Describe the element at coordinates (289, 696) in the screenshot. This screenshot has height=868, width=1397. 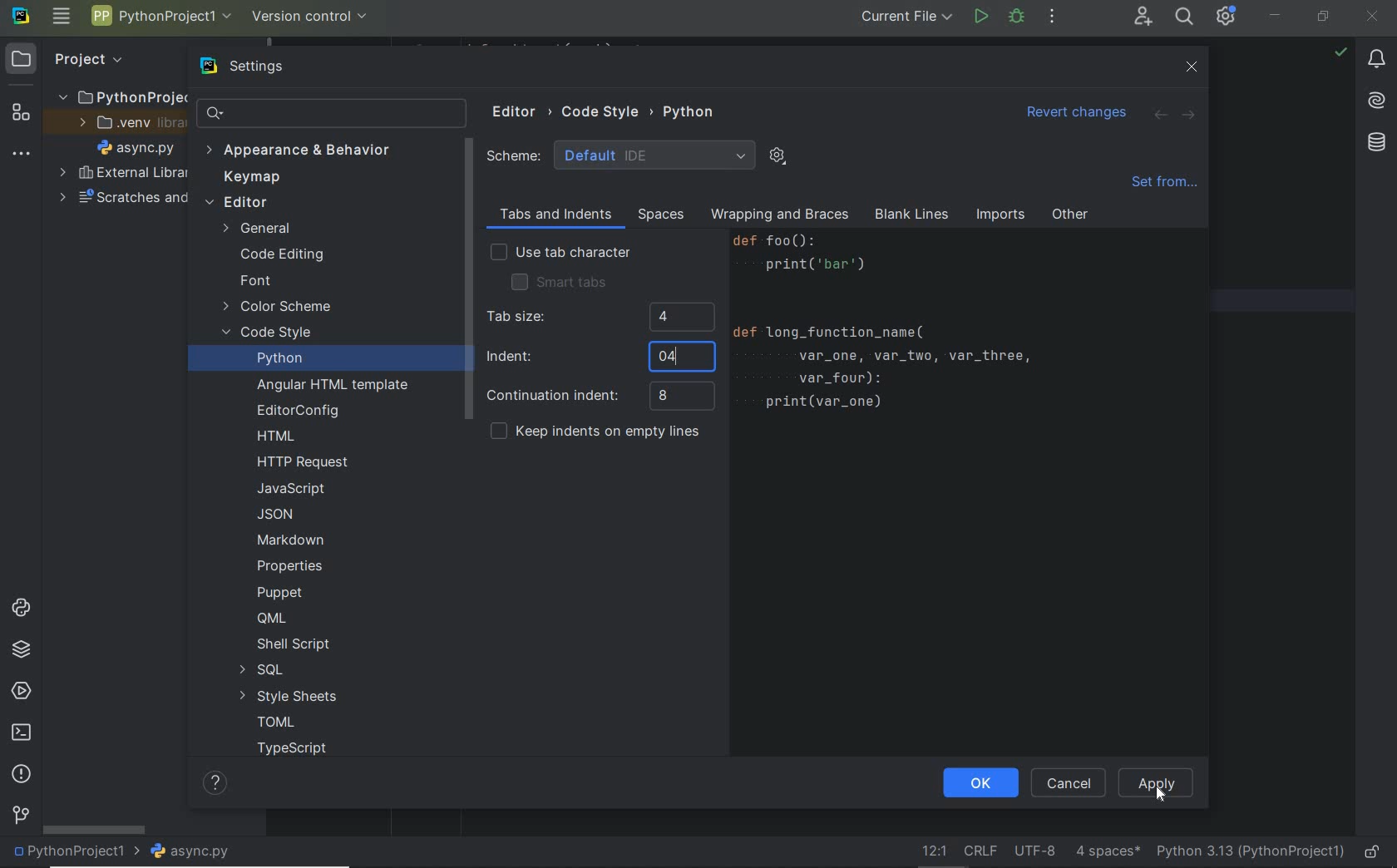
I see `STYLE SHEETS` at that location.